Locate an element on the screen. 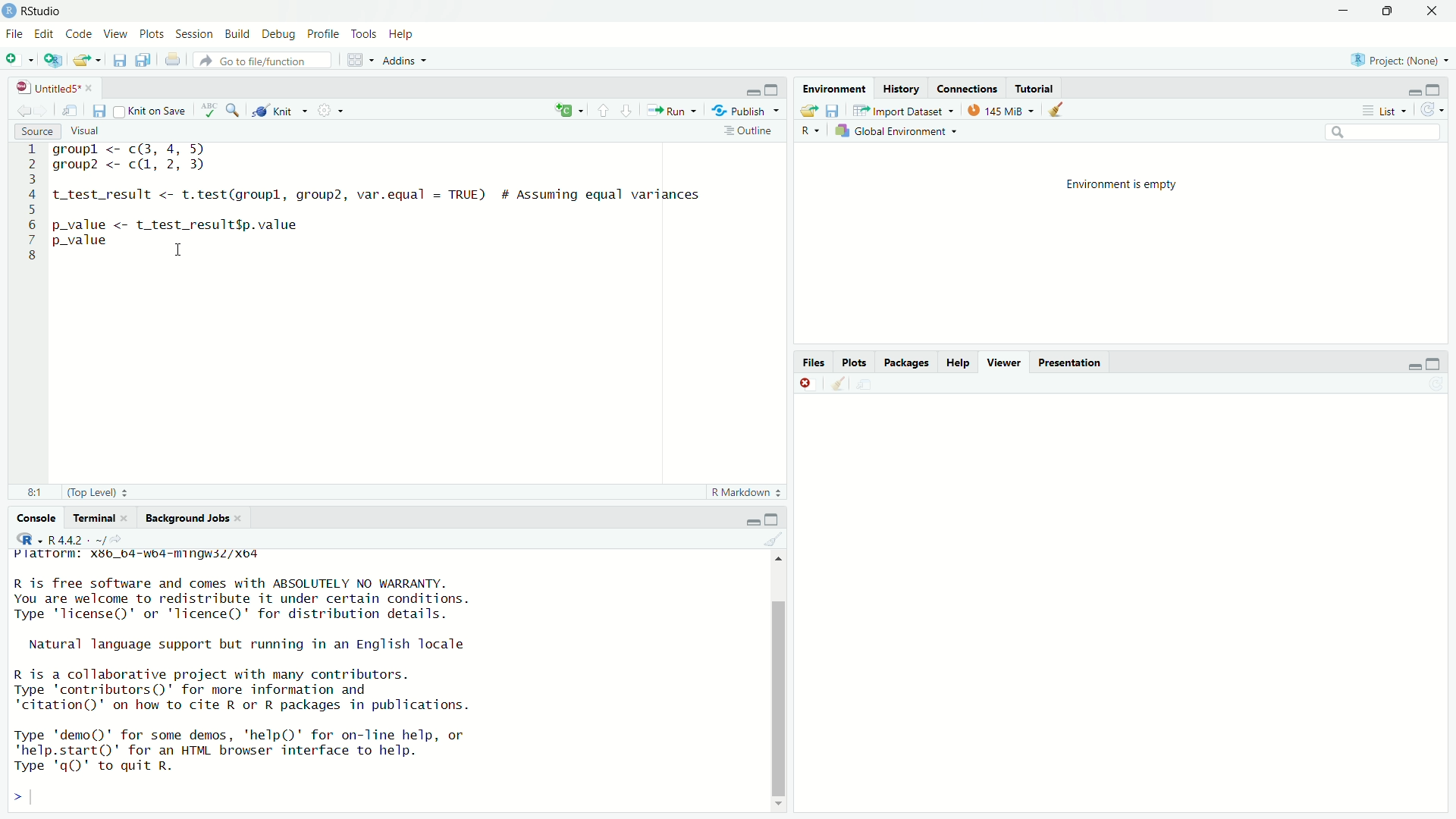 The height and width of the screenshot is (819, 1456). settings is located at coordinates (331, 109).